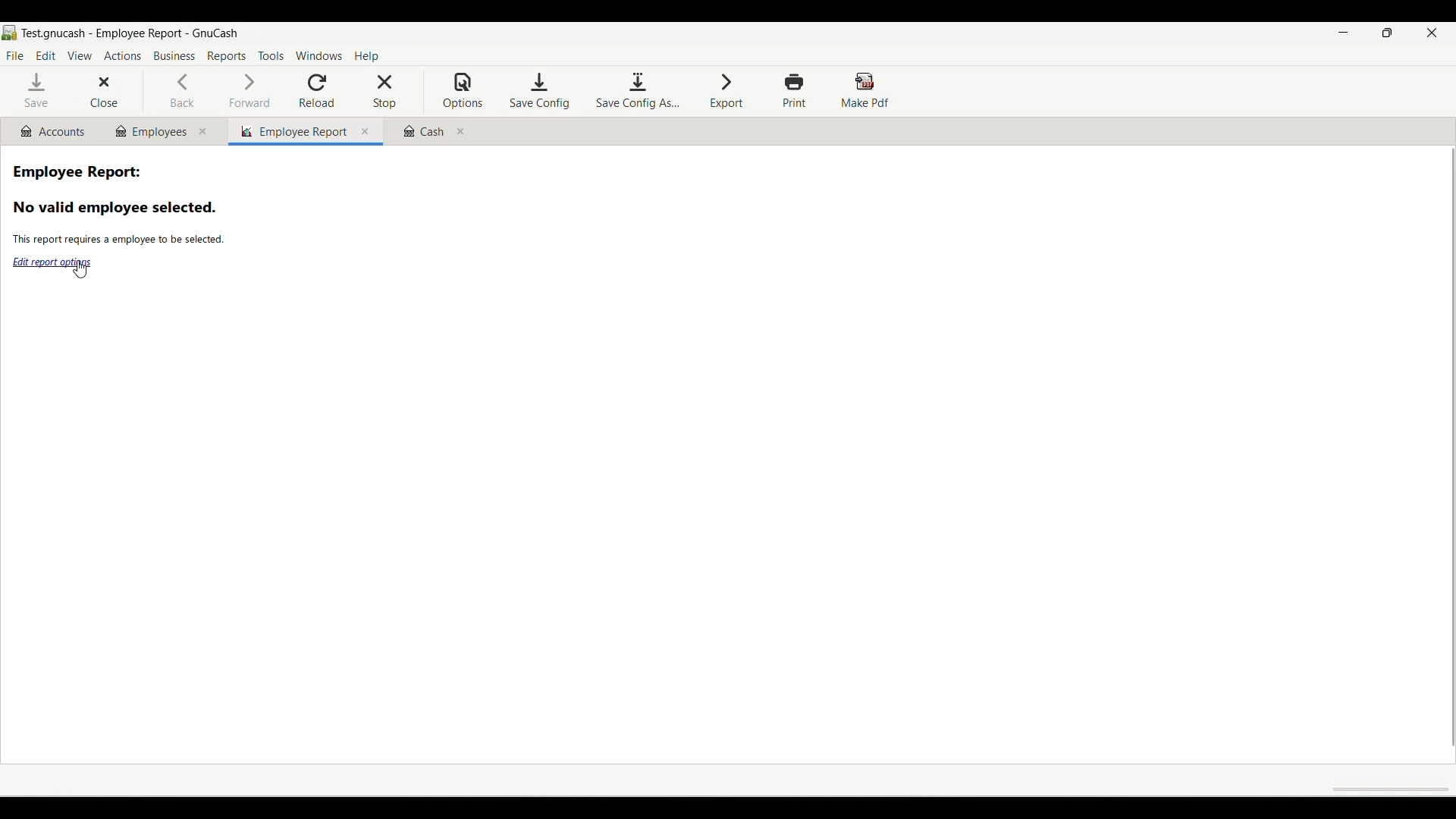 The width and height of the screenshot is (1456, 819). Describe the element at coordinates (226, 57) in the screenshot. I see `Reports` at that location.